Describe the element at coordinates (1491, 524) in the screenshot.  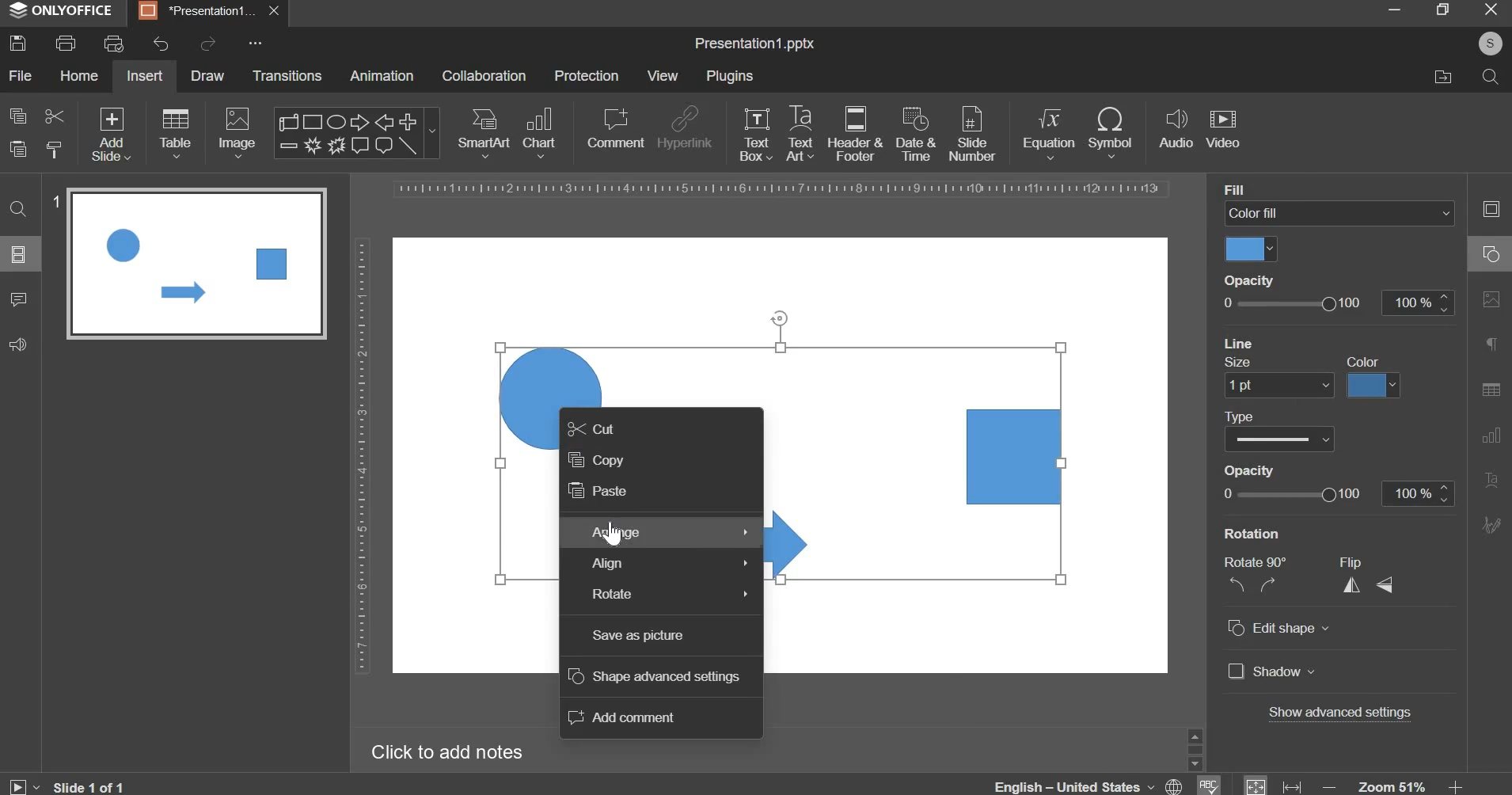
I see `signature ` at that location.